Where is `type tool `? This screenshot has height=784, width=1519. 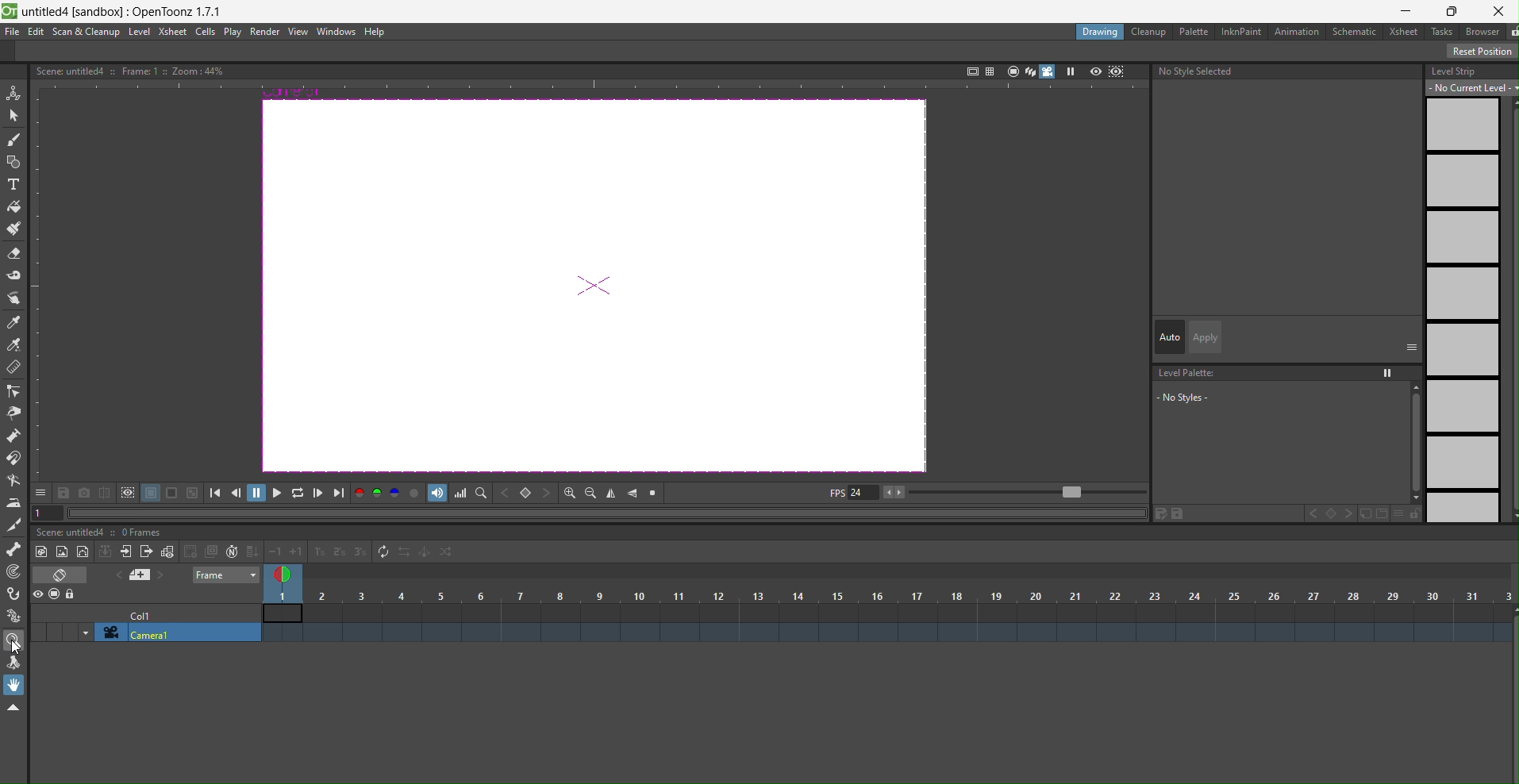 type tool  is located at coordinates (17, 184).